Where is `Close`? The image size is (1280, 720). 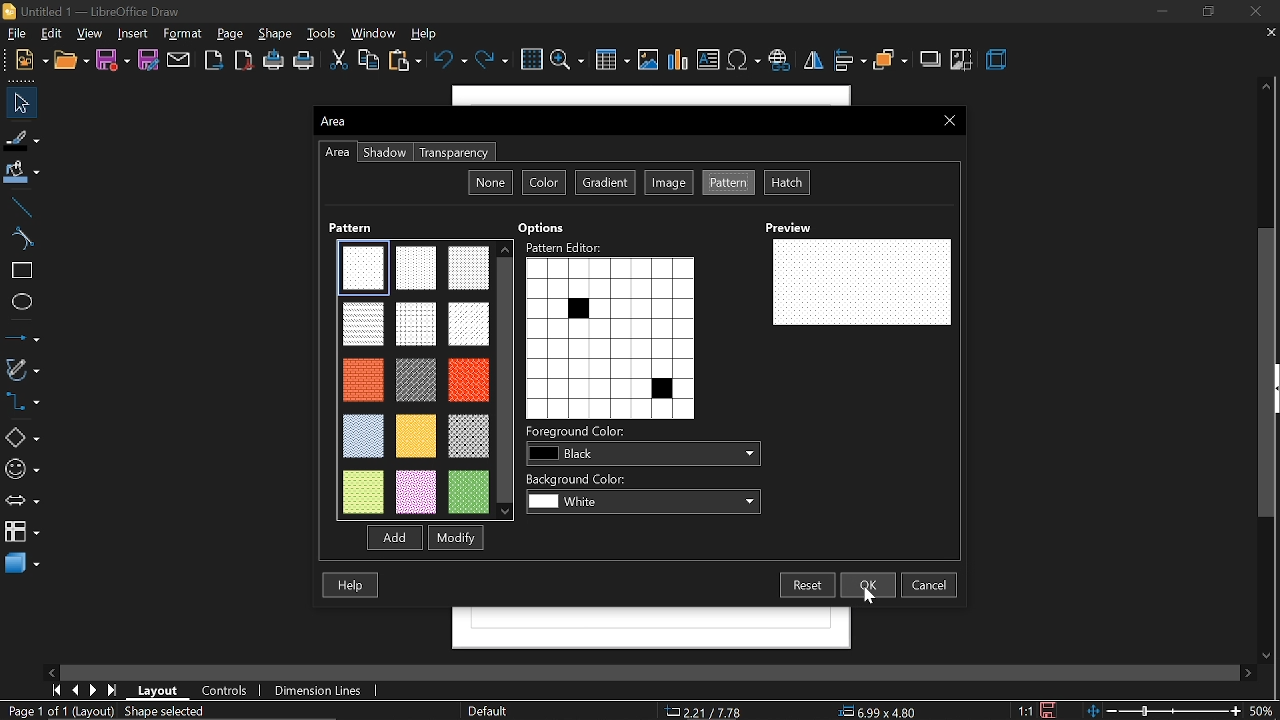
Close is located at coordinates (1255, 9).